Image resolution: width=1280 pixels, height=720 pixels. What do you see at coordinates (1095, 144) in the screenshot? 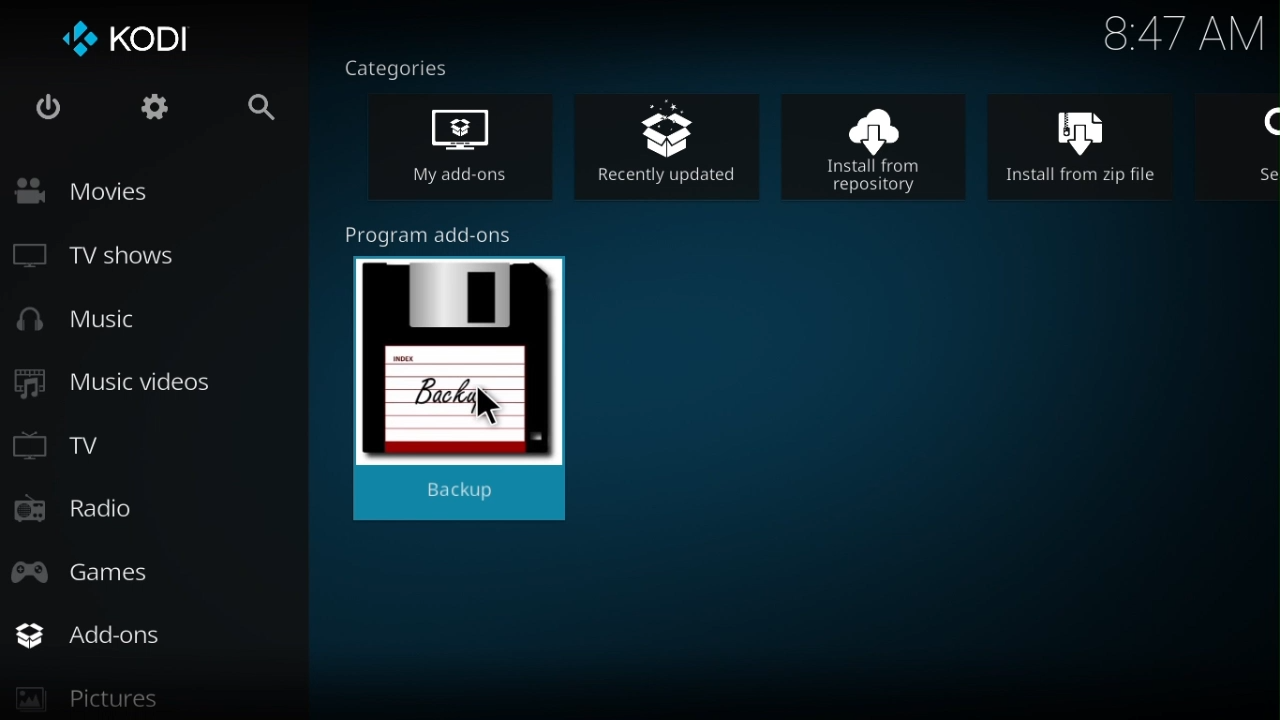
I see `Install from zip file` at bounding box center [1095, 144].